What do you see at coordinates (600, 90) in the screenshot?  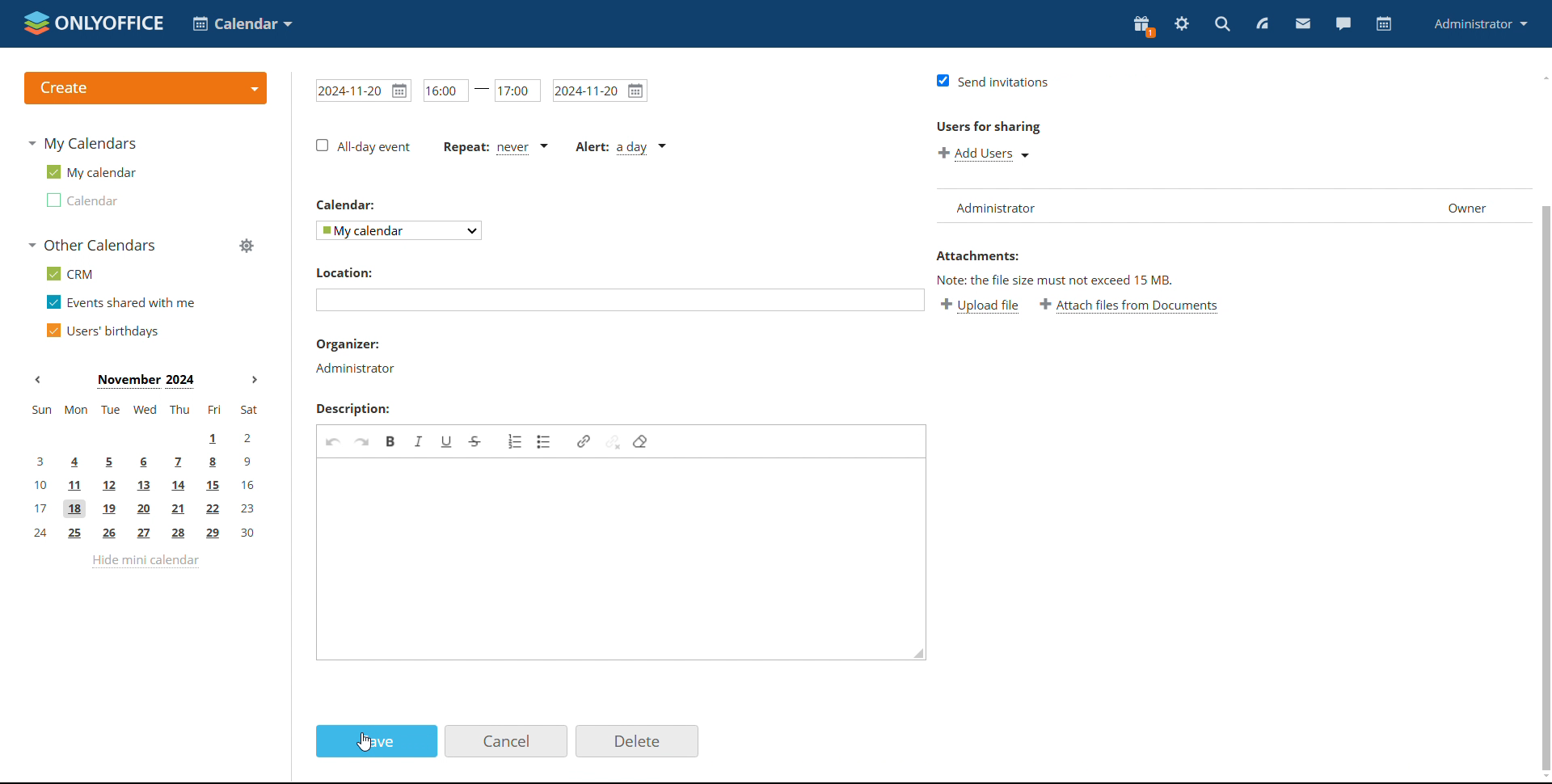 I see `end date` at bounding box center [600, 90].